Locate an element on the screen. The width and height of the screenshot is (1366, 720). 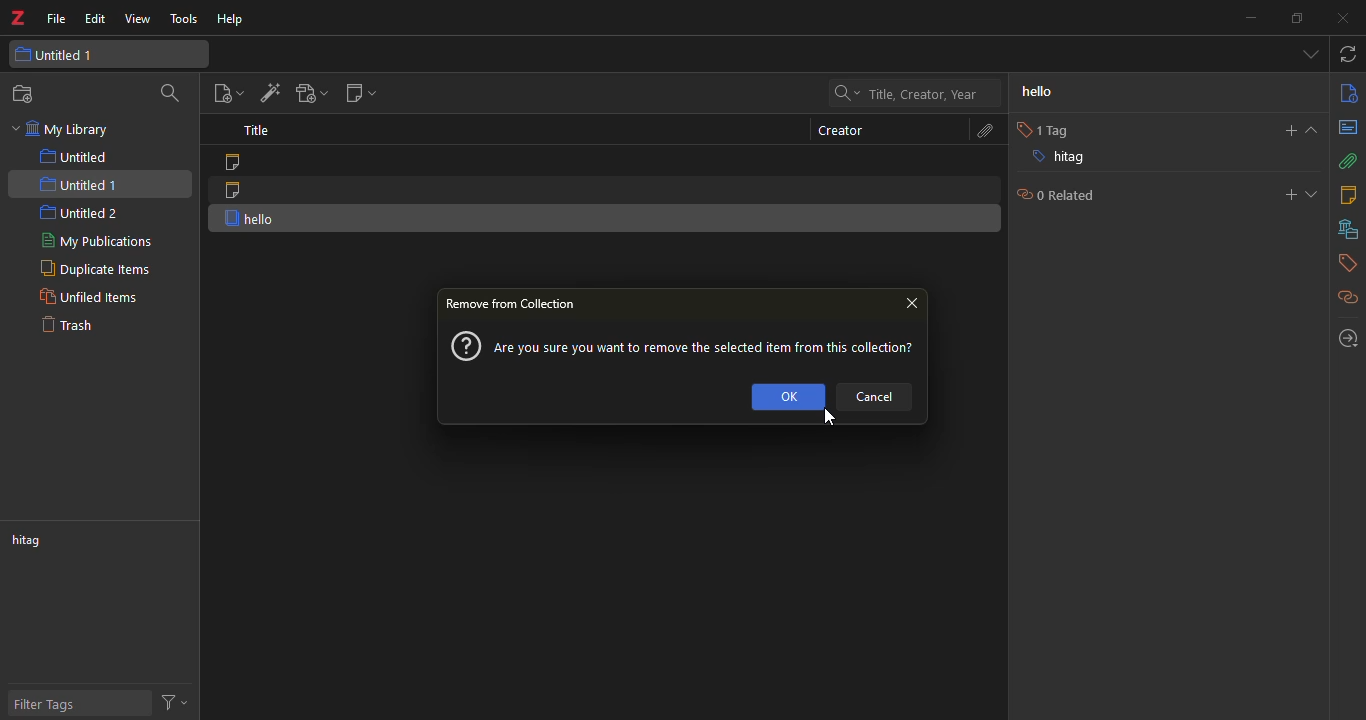
related is located at coordinates (1349, 299).